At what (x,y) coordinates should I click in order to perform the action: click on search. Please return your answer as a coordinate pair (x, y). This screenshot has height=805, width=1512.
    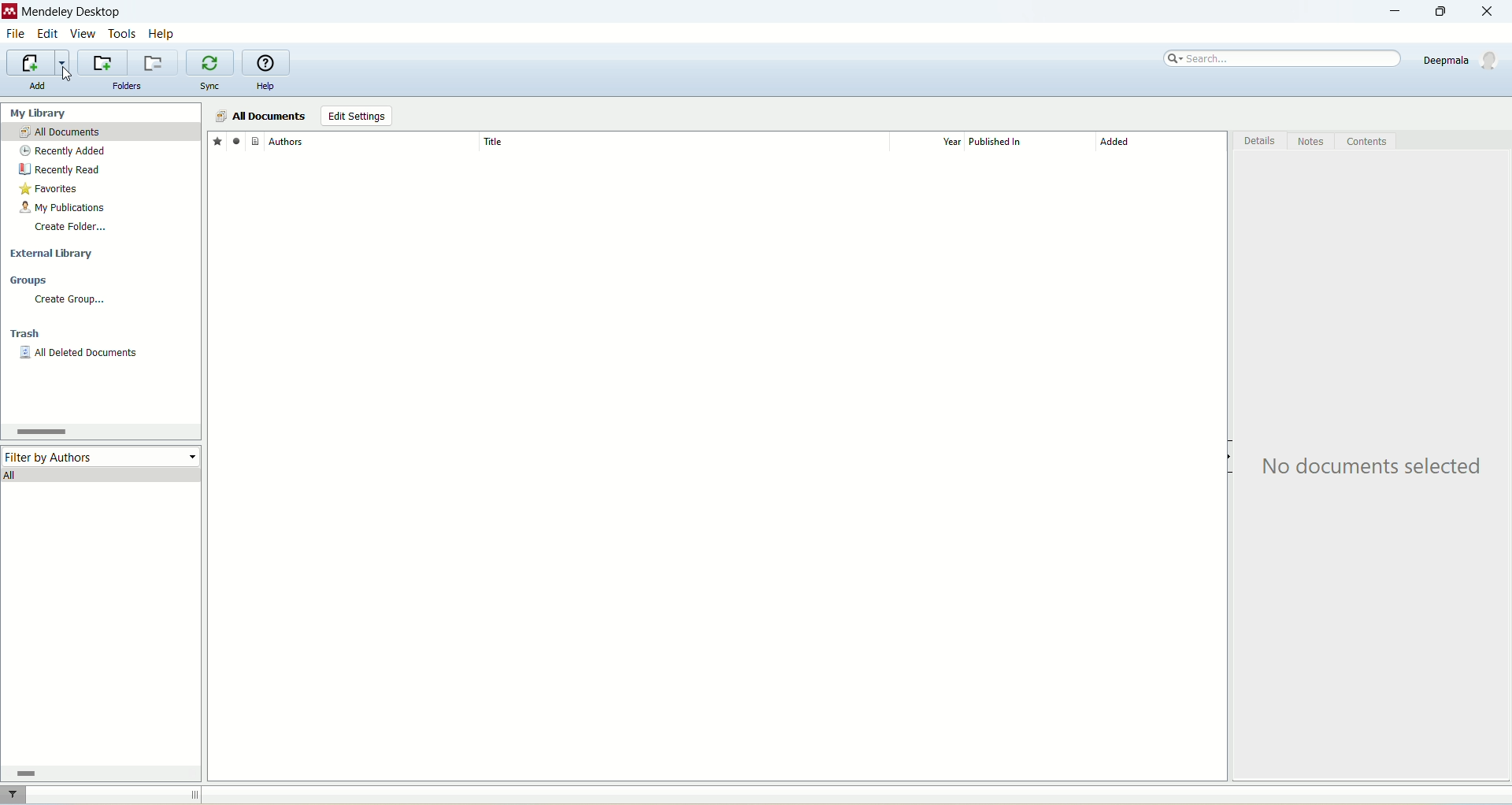
    Looking at the image, I should click on (1284, 59).